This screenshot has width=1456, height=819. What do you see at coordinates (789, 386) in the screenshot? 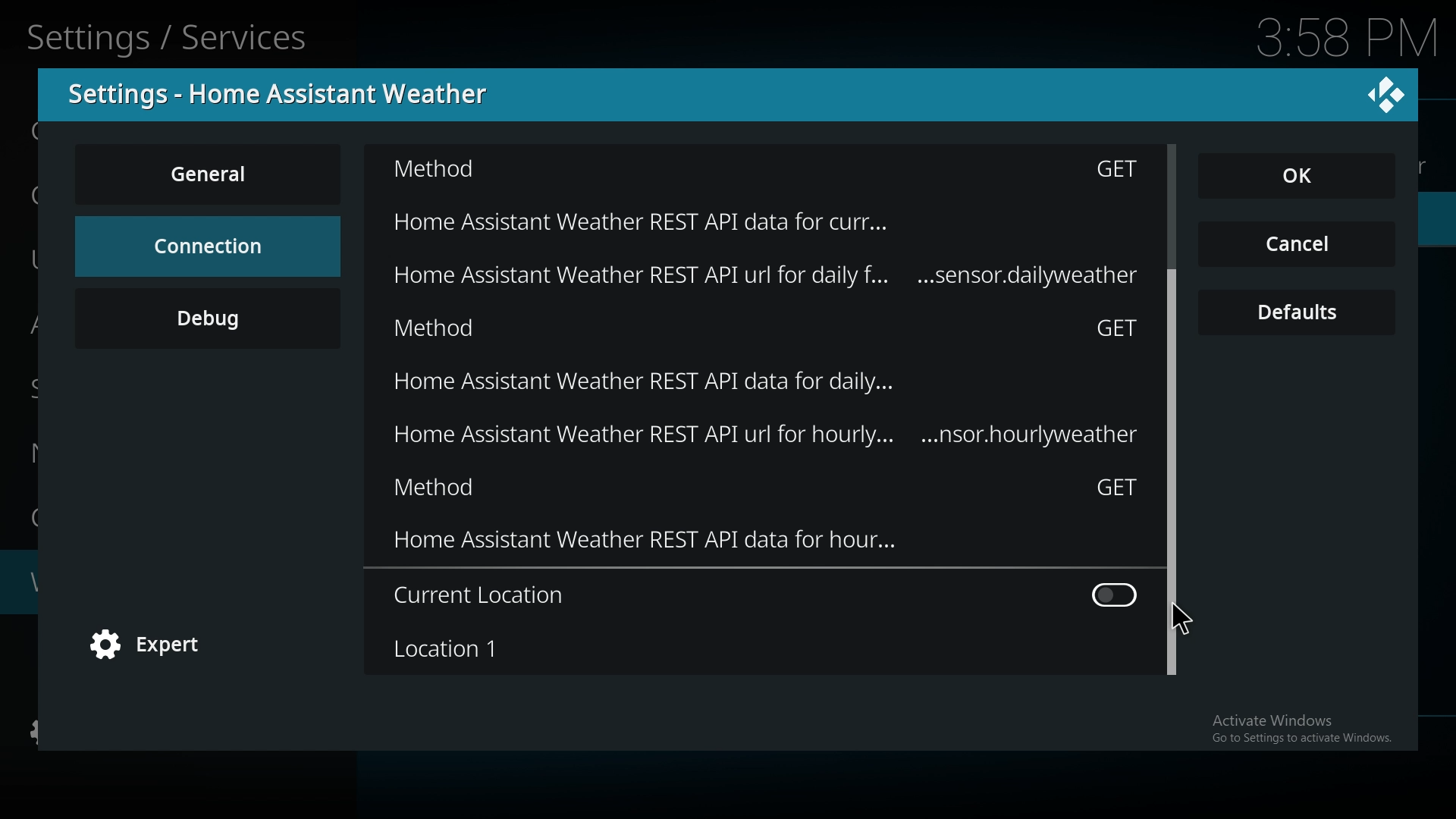
I see `Home assistant weather rest API data for daily` at bounding box center [789, 386].